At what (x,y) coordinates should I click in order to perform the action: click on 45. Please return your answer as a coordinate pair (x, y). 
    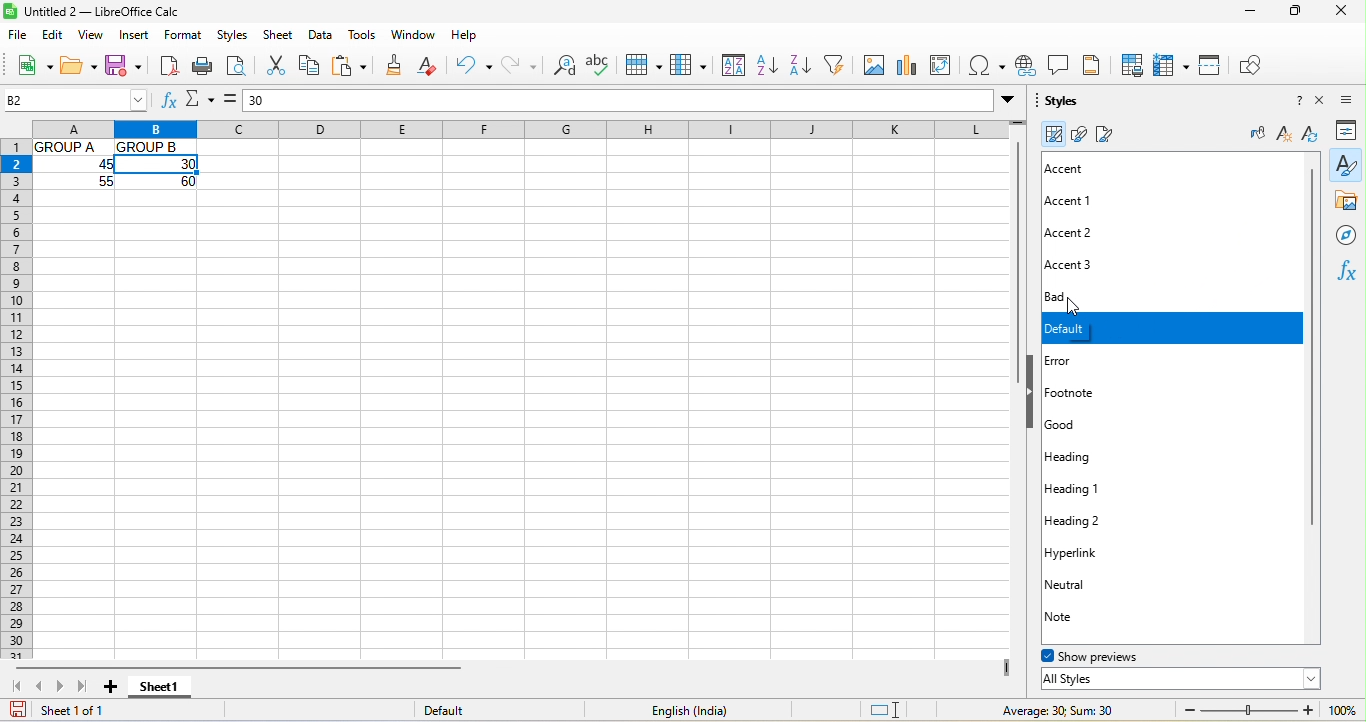
    Looking at the image, I should click on (88, 165).